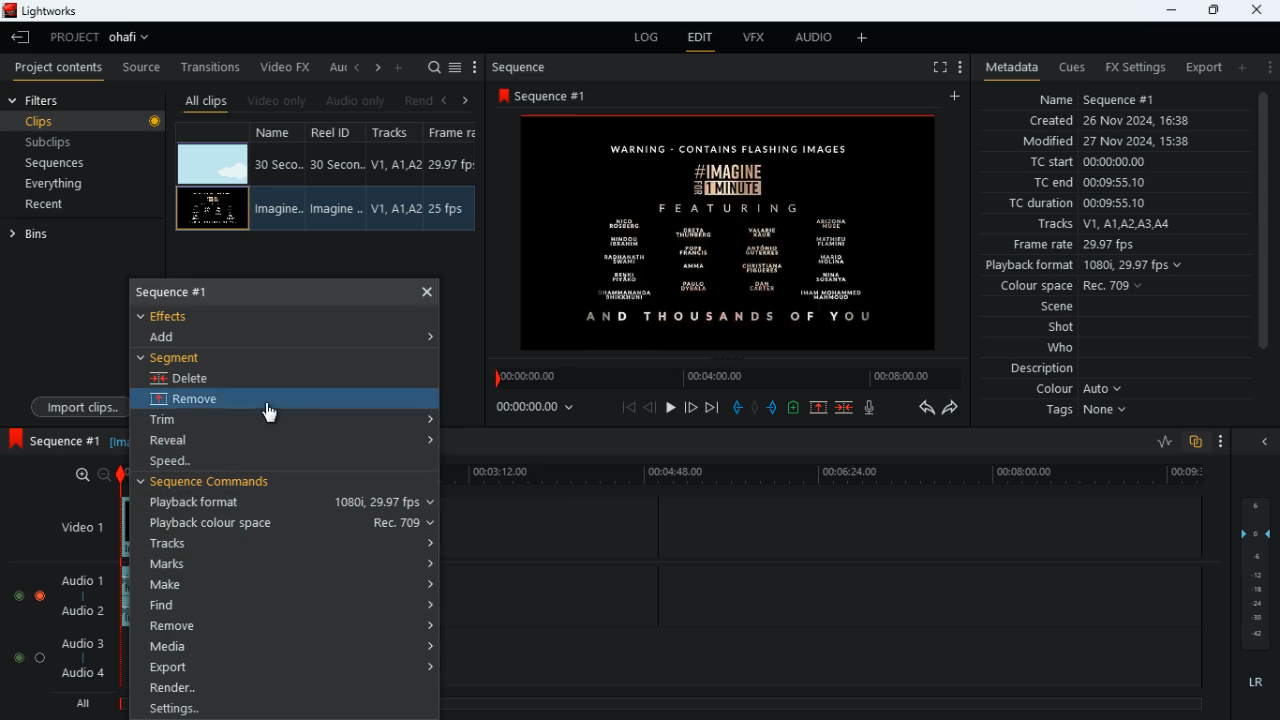 This screenshot has height=720, width=1280. Describe the element at coordinates (956, 411) in the screenshot. I see `forward` at that location.